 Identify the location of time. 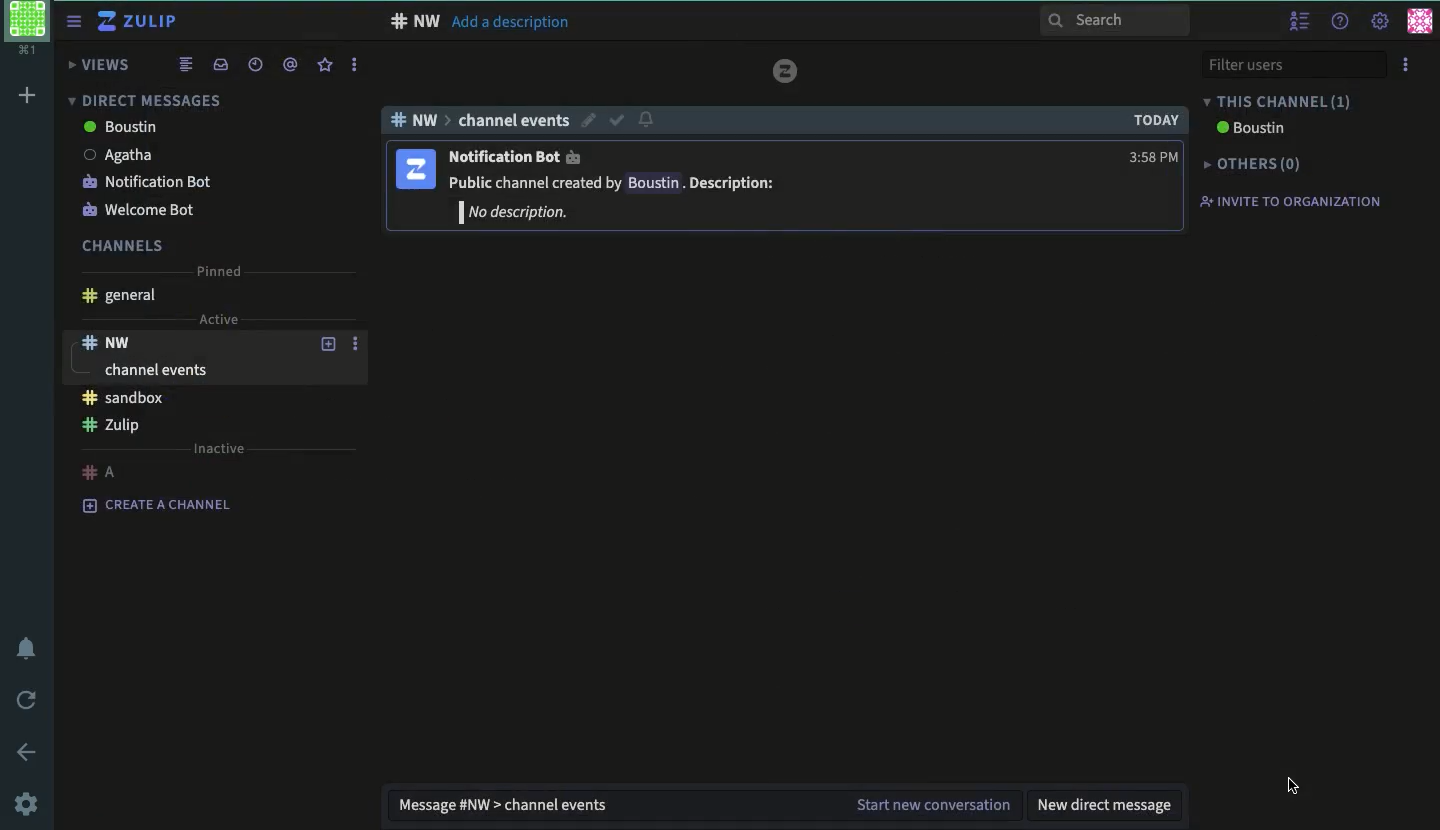
(1154, 157).